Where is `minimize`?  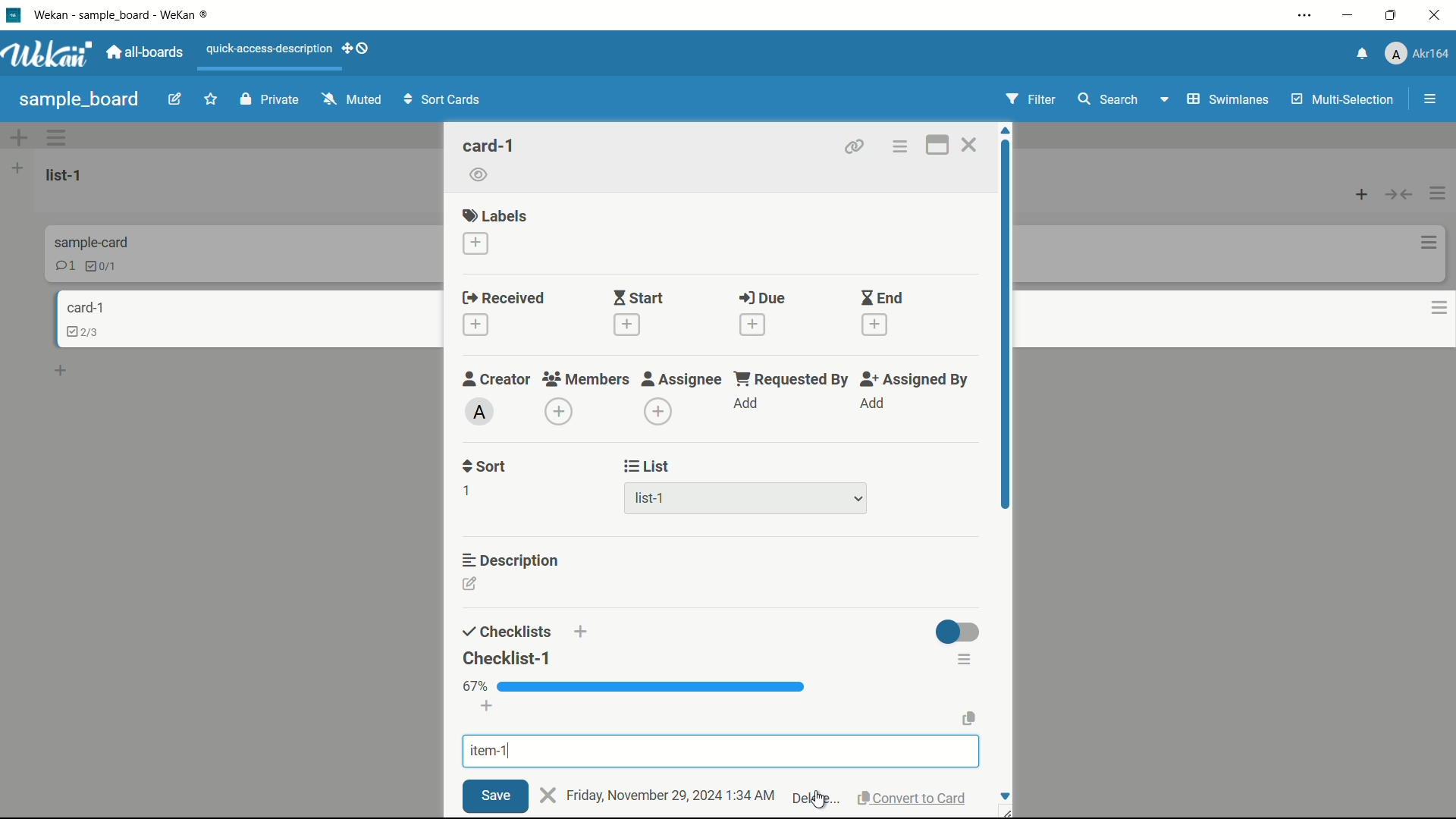
minimize is located at coordinates (1349, 15).